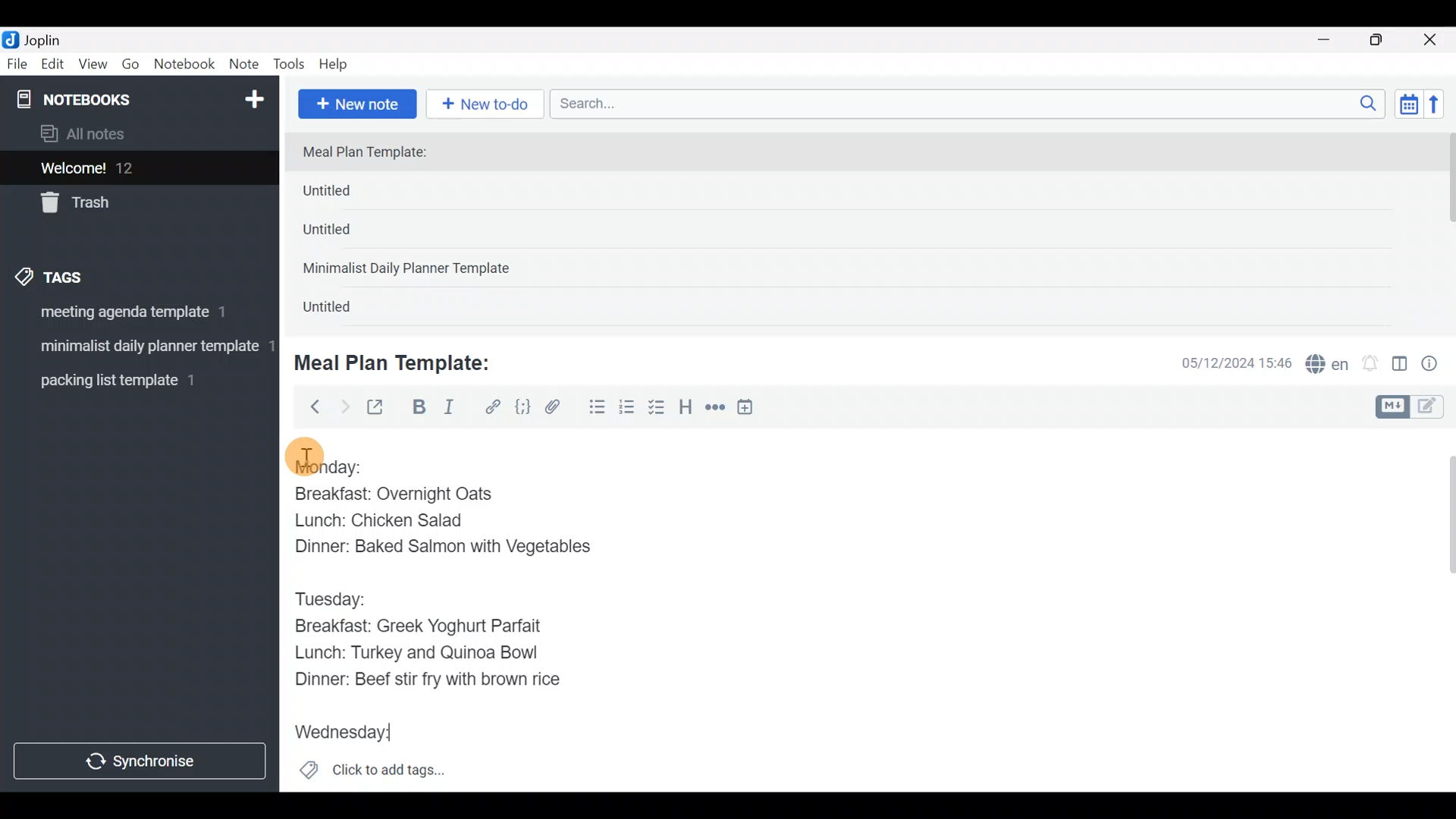 This screenshot has height=819, width=1456. I want to click on Checkbox, so click(658, 409).